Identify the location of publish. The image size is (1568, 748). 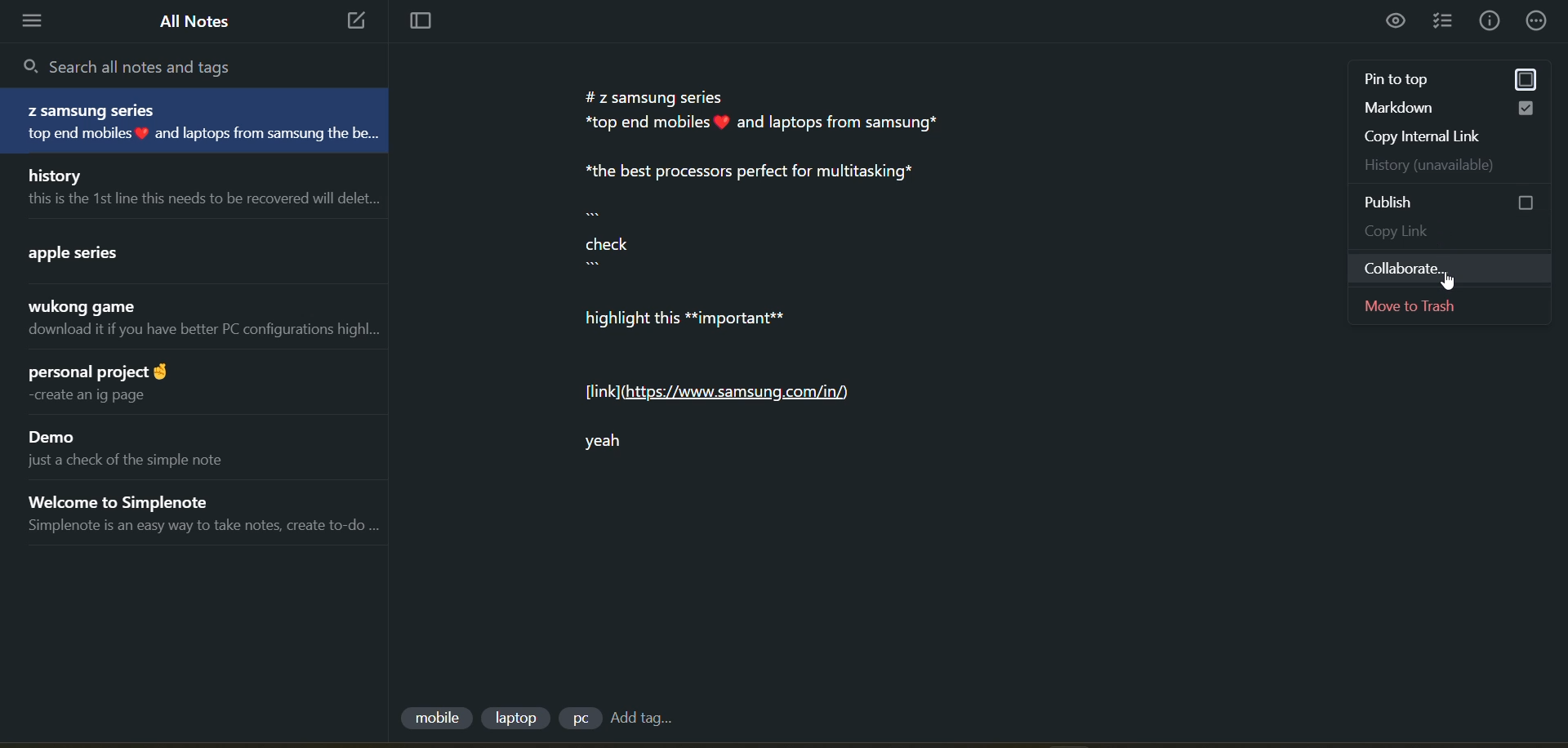
(1462, 201).